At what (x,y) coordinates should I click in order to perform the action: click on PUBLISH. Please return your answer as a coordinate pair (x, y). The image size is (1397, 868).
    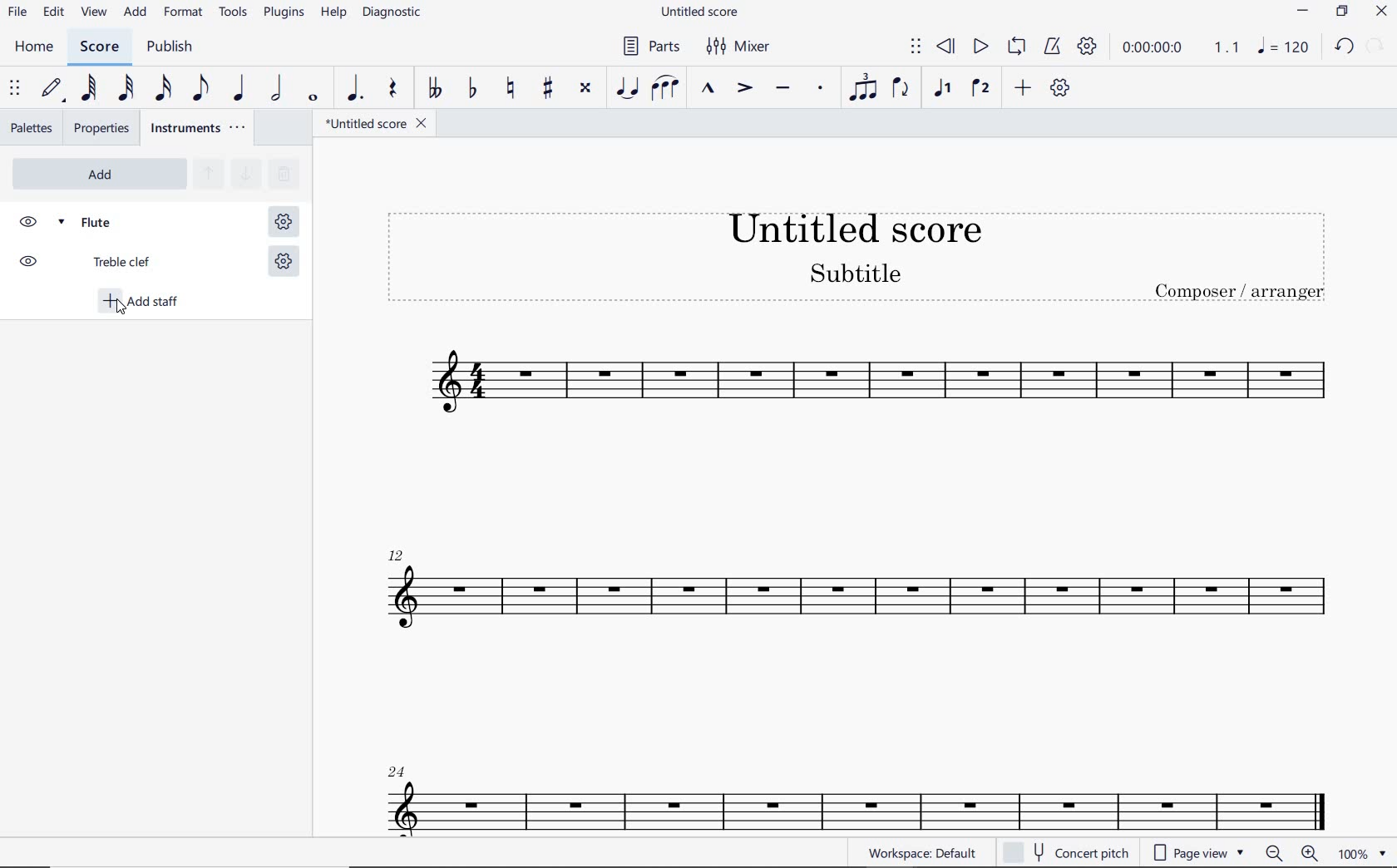
    Looking at the image, I should click on (175, 49).